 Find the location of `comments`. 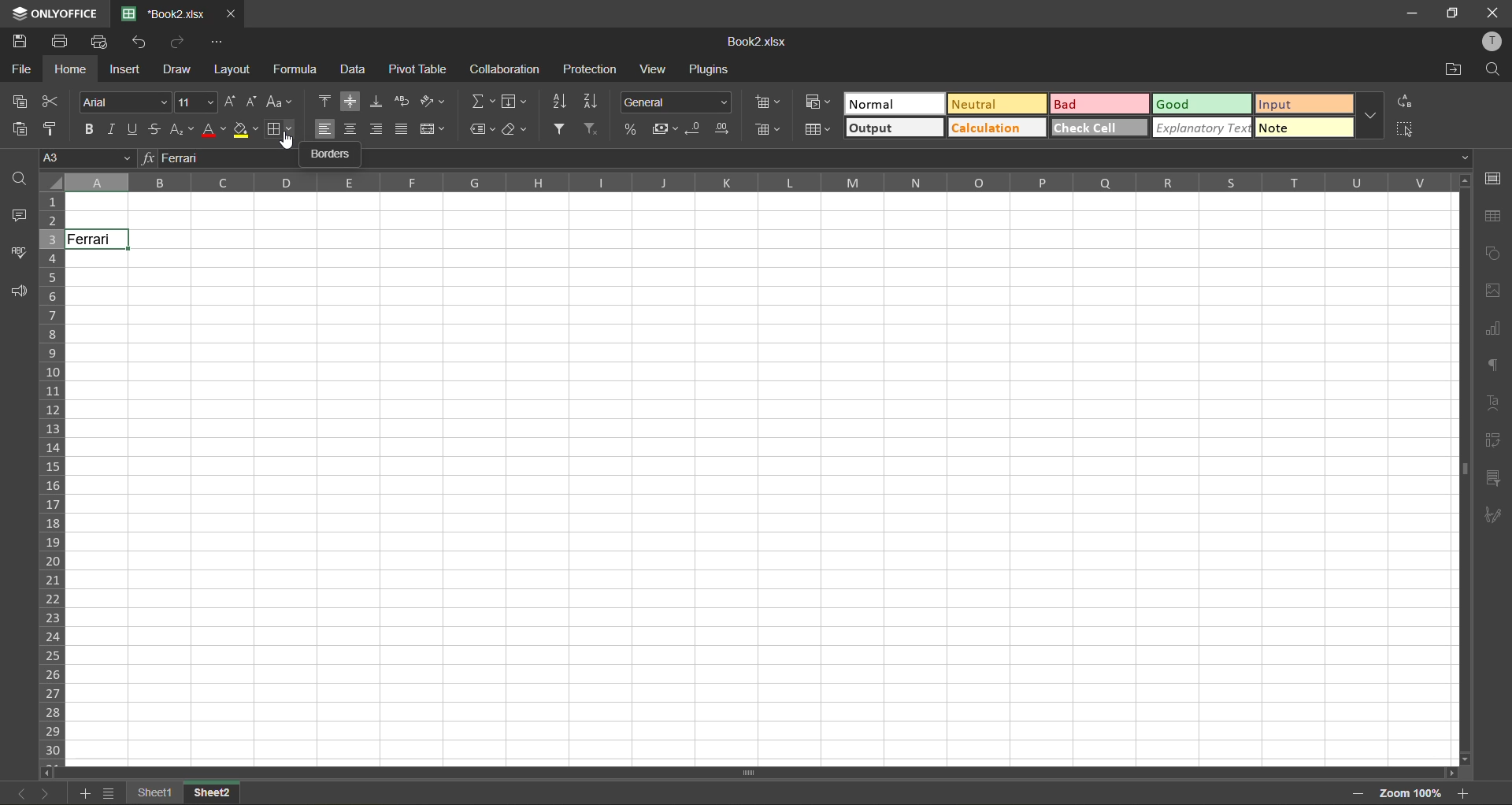

comments is located at coordinates (16, 216).